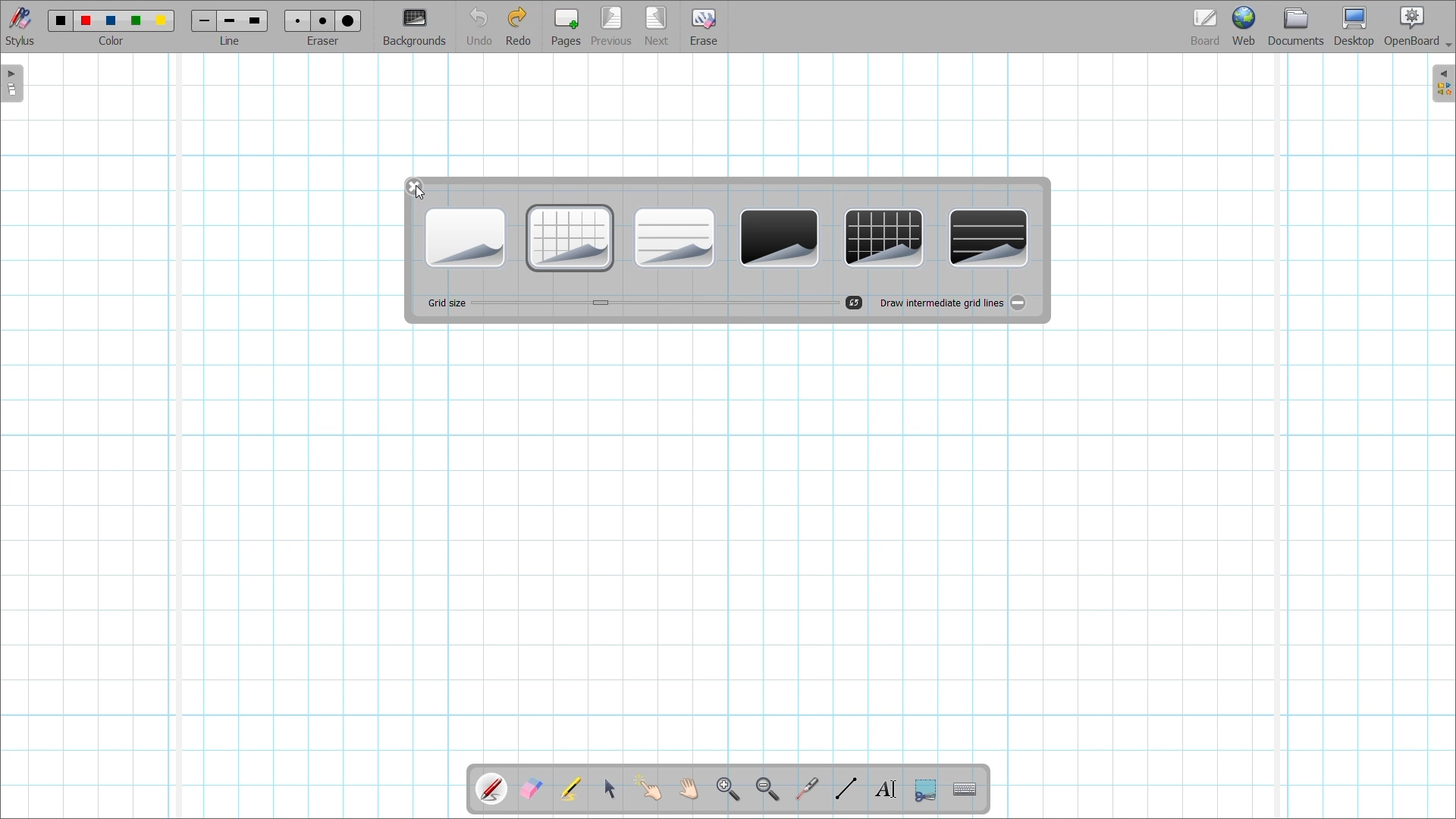 The height and width of the screenshot is (819, 1456). What do you see at coordinates (704, 27) in the screenshot?
I see `Eraser` at bounding box center [704, 27].